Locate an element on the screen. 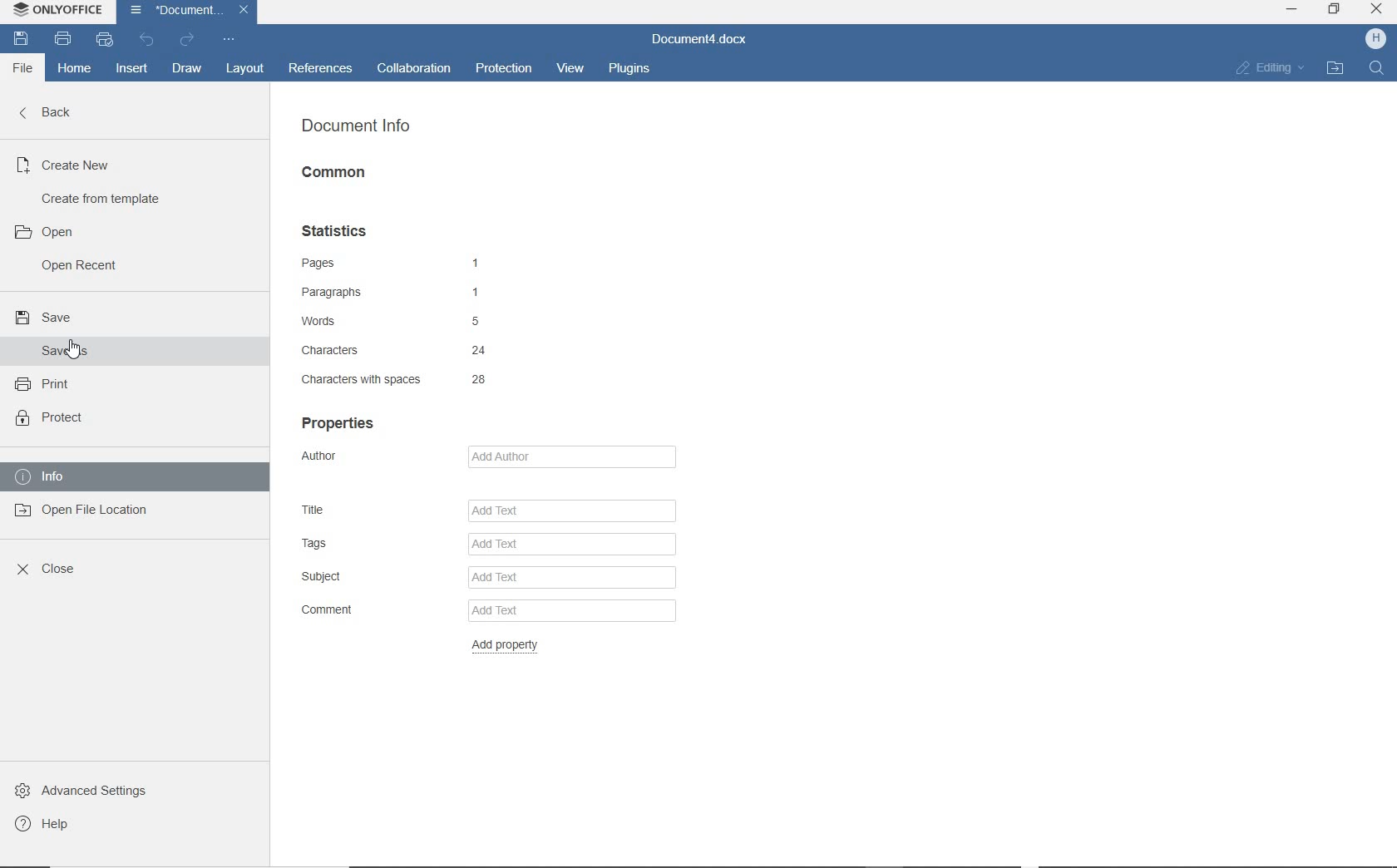  save us is located at coordinates (60, 351).